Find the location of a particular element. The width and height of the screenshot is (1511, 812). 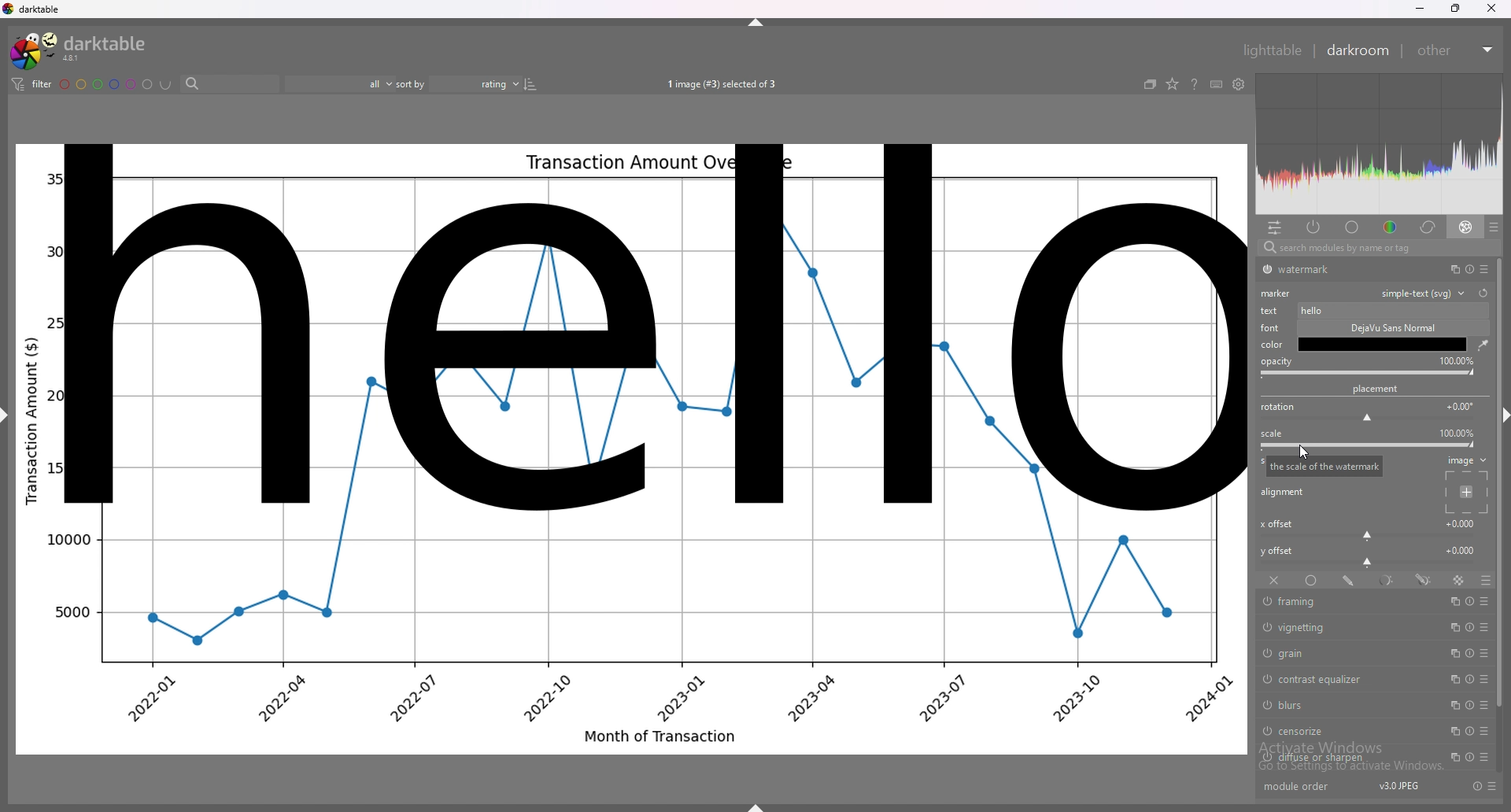

change type of overlays is located at coordinates (1173, 85).